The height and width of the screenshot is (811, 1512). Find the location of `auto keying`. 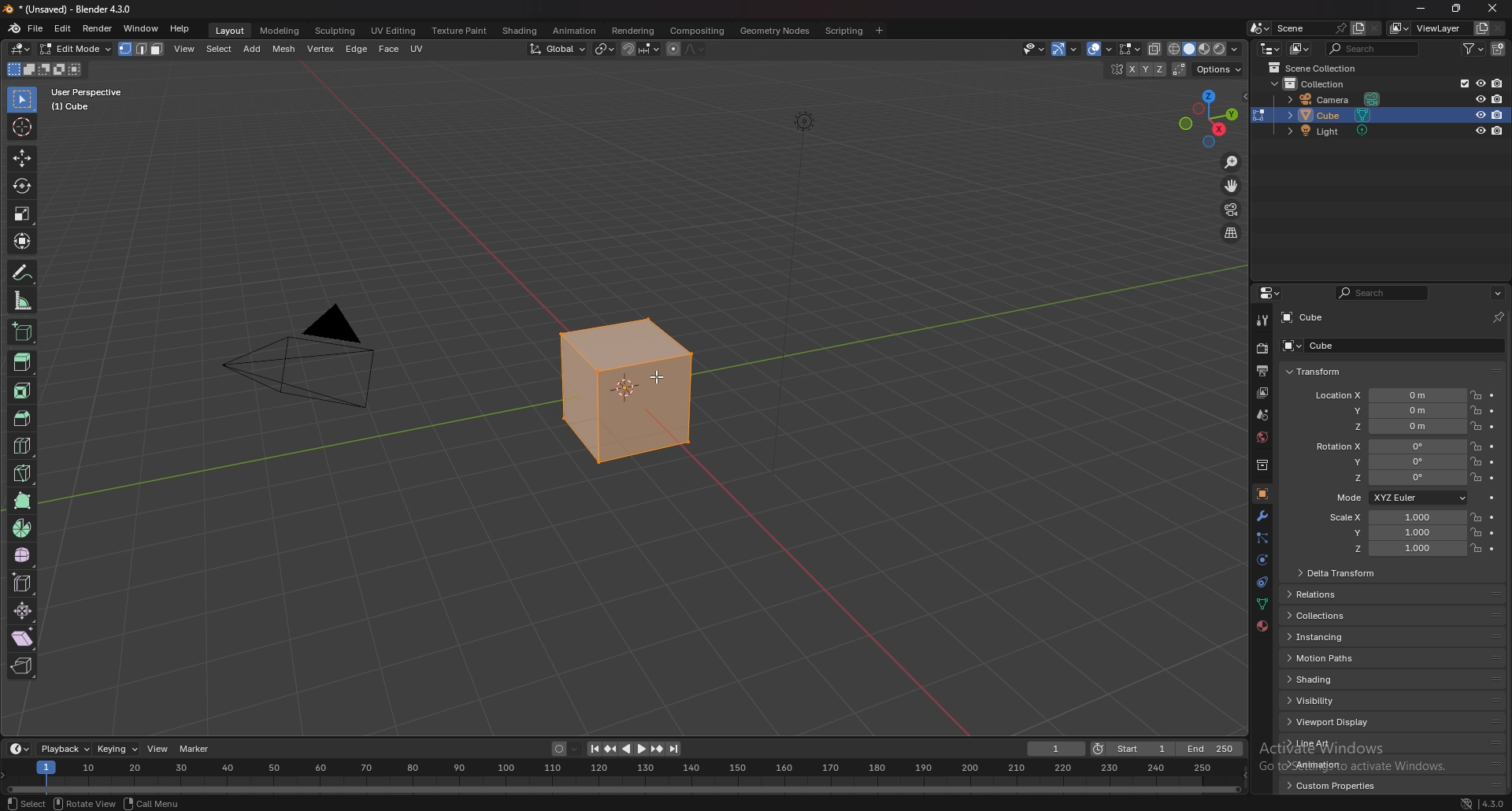

auto keying is located at coordinates (565, 749).